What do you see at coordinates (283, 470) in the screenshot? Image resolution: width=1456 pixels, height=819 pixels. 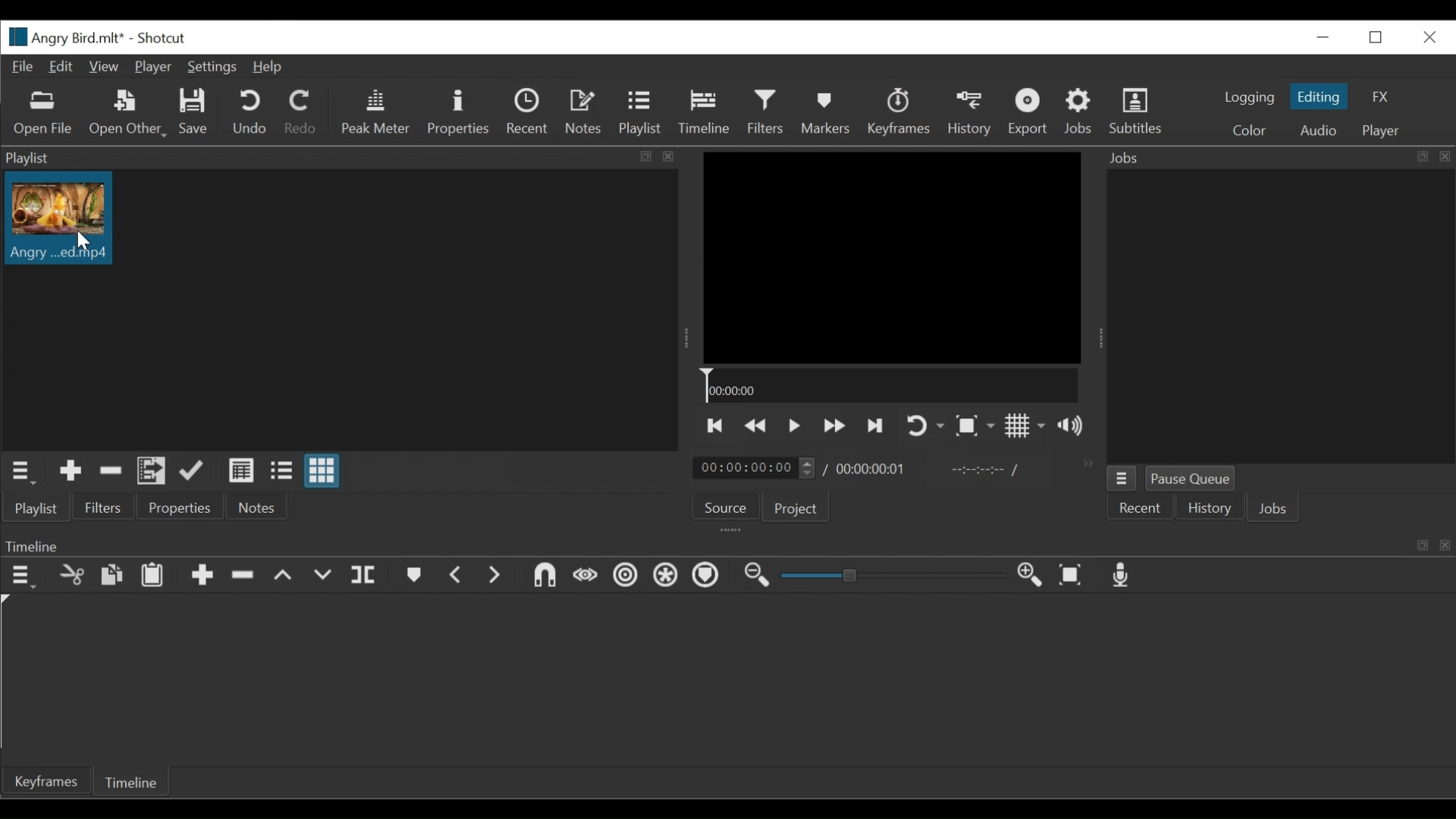 I see `View as files` at bounding box center [283, 470].